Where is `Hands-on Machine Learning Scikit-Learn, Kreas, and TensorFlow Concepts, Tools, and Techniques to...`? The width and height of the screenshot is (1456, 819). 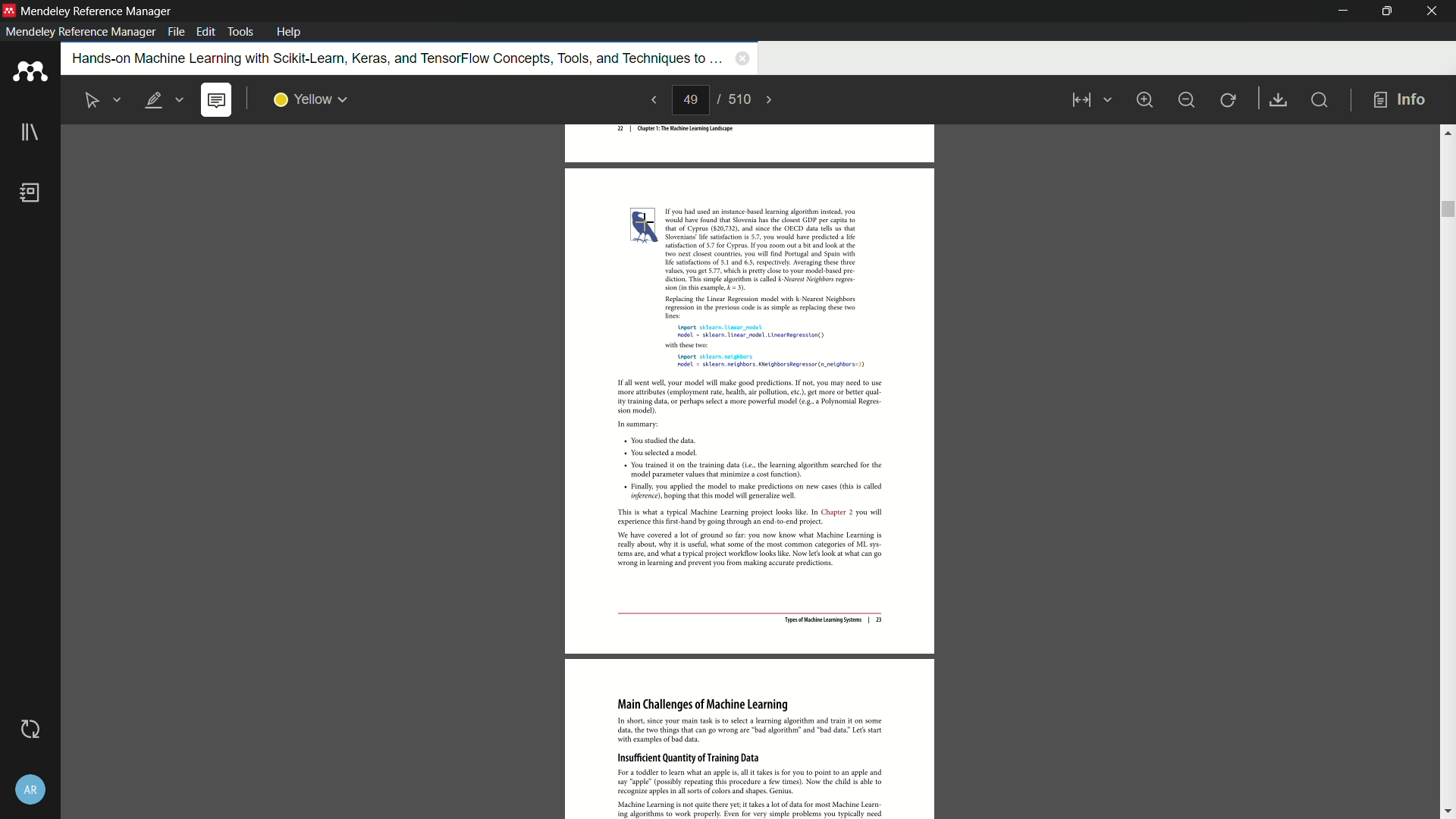 Hands-on Machine Learning Scikit-Learn, Kreas, and TensorFlow Concepts, Tools, and Techniques to... is located at coordinates (388, 64).